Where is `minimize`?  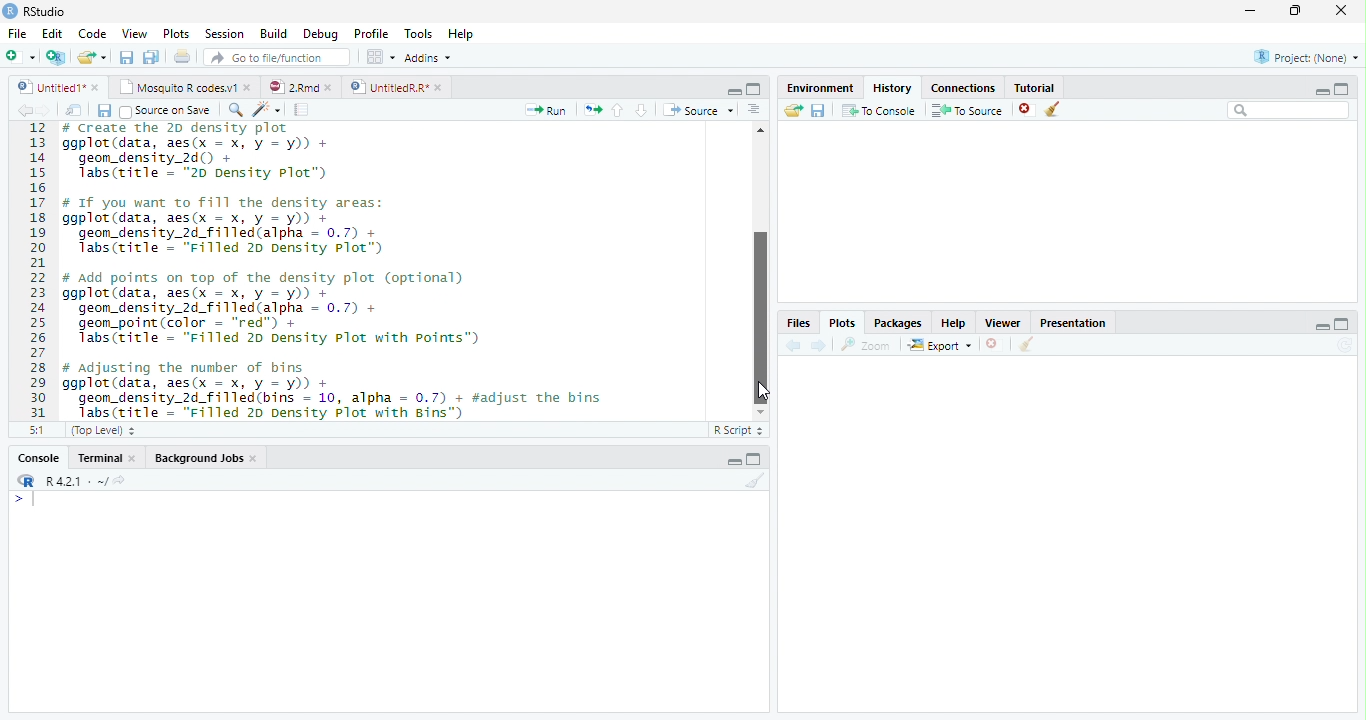
minimize is located at coordinates (1319, 91).